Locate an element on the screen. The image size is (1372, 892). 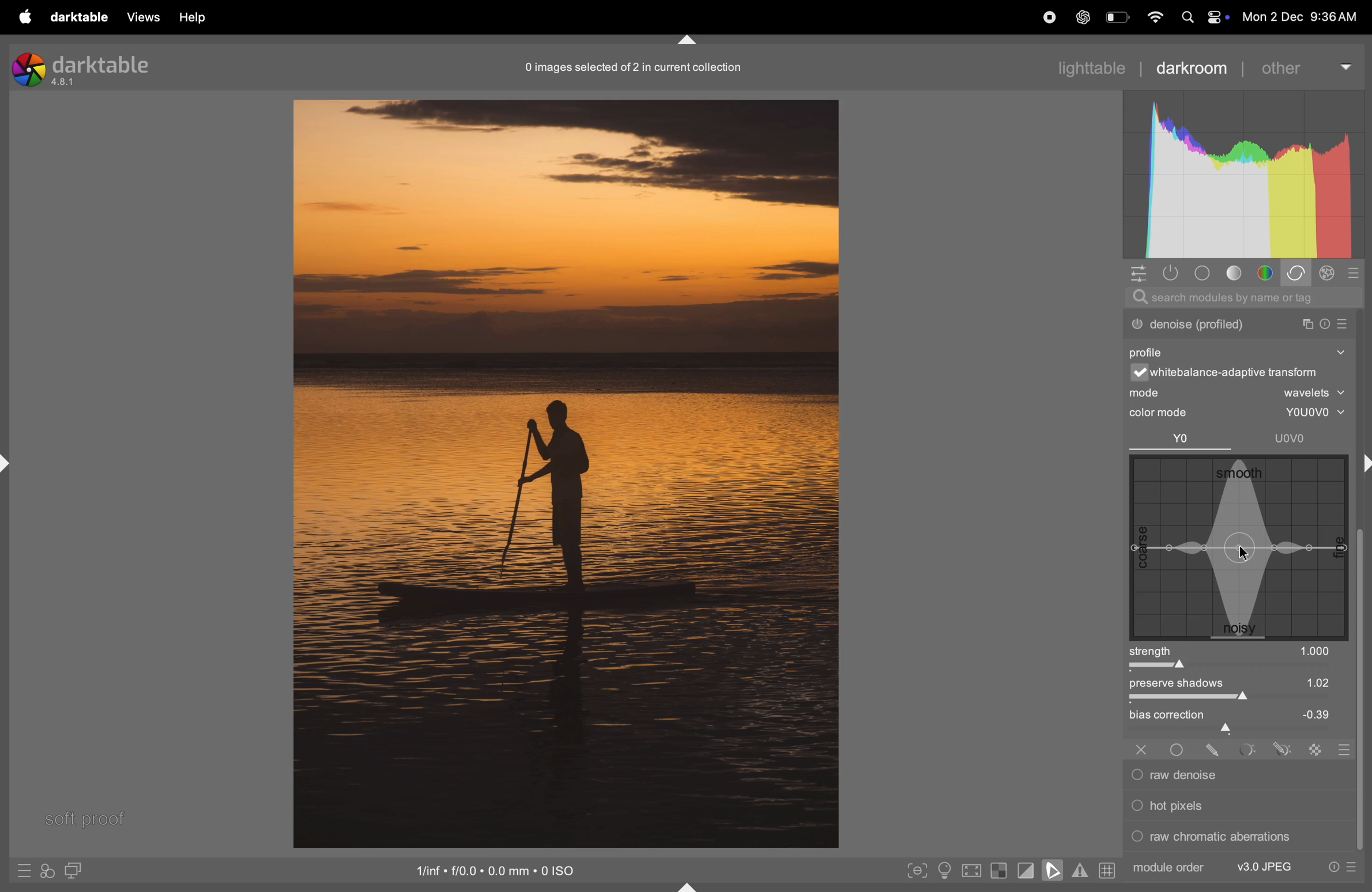
image is located at coordinates (566, 472).